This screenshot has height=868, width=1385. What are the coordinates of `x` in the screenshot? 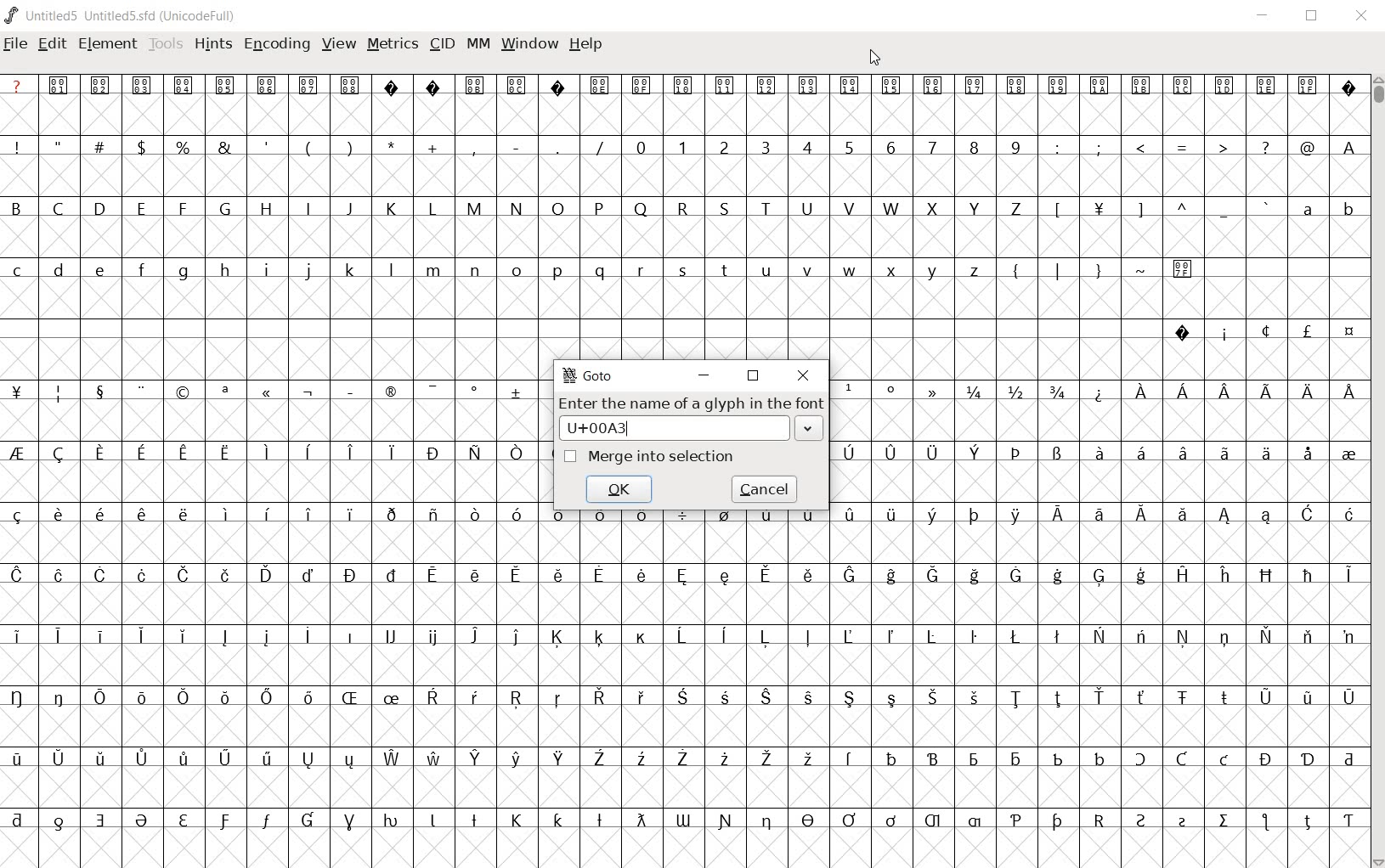 It's located at (893, 270).